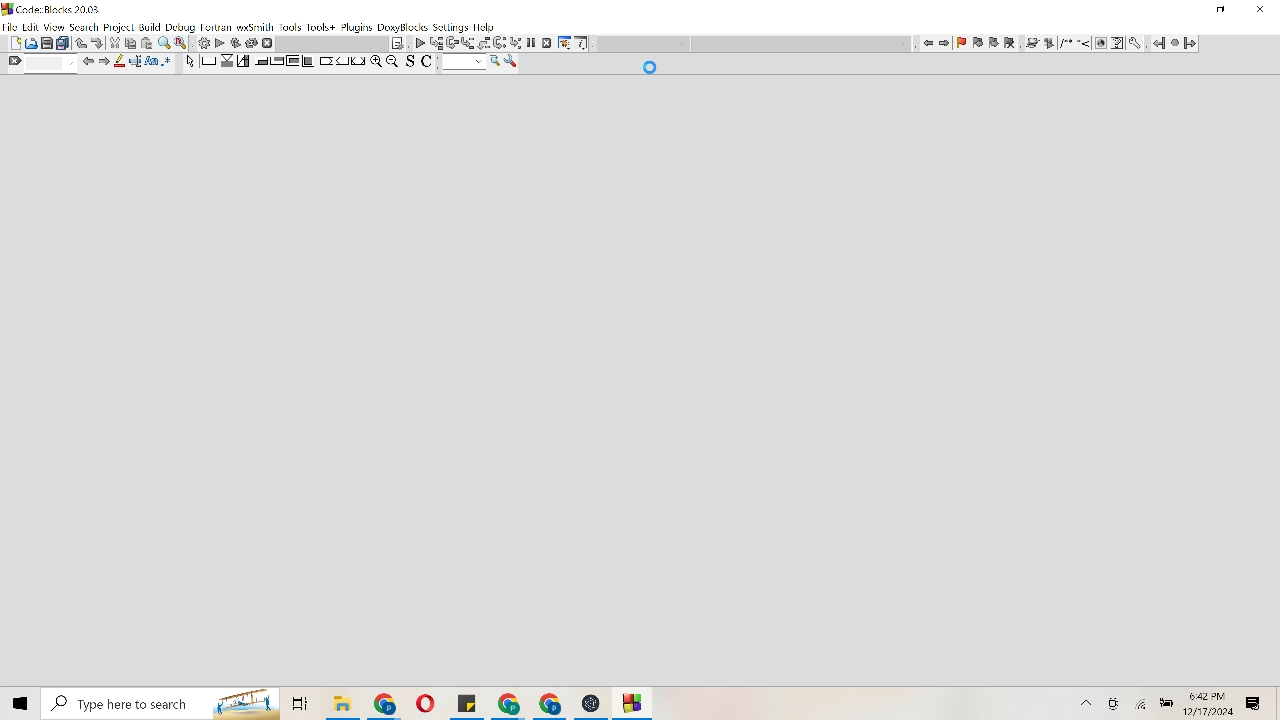 This screenshot has width=1280, height=720. What do you see at coordinates (398, 43) in the screenshot?
I see `Note` at bounding box center [398, 43].